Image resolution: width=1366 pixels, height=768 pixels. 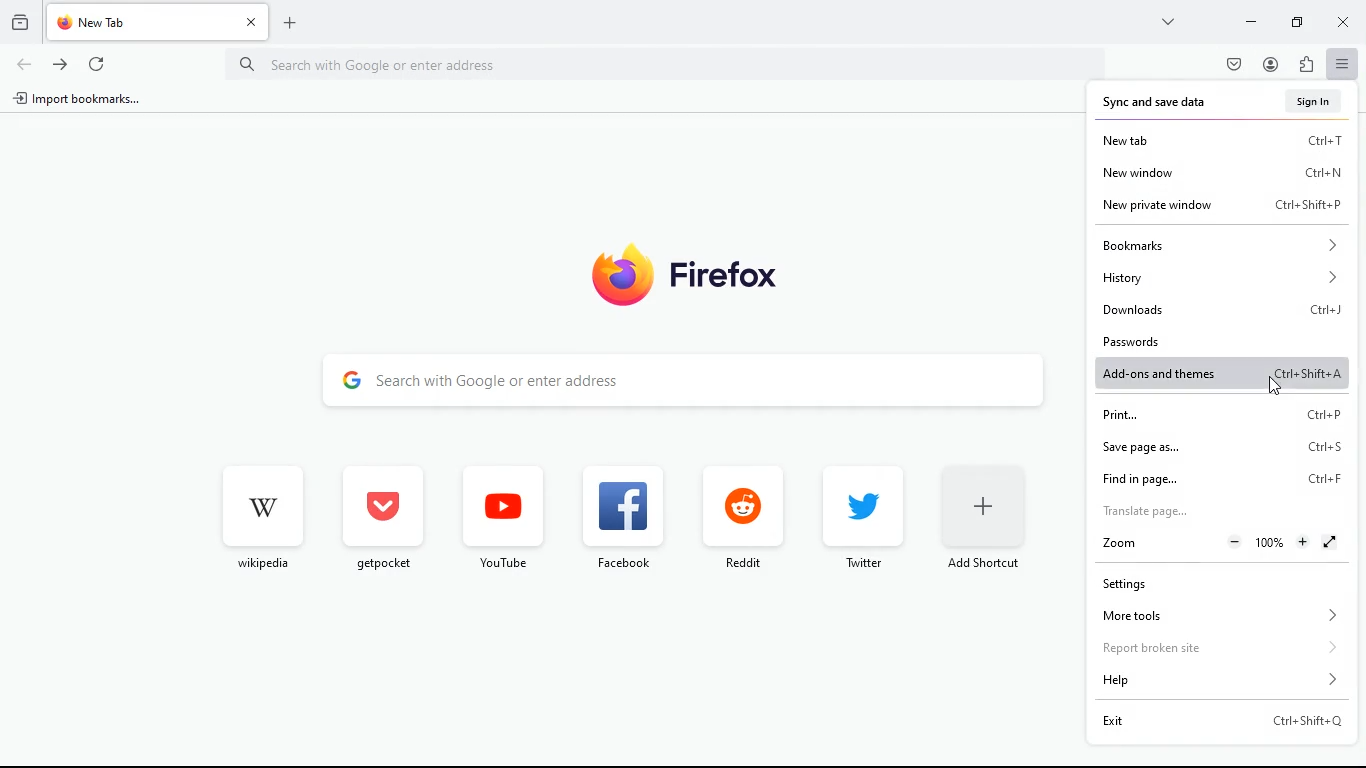 I want to click on save page as, so click(x=1217, y=446).